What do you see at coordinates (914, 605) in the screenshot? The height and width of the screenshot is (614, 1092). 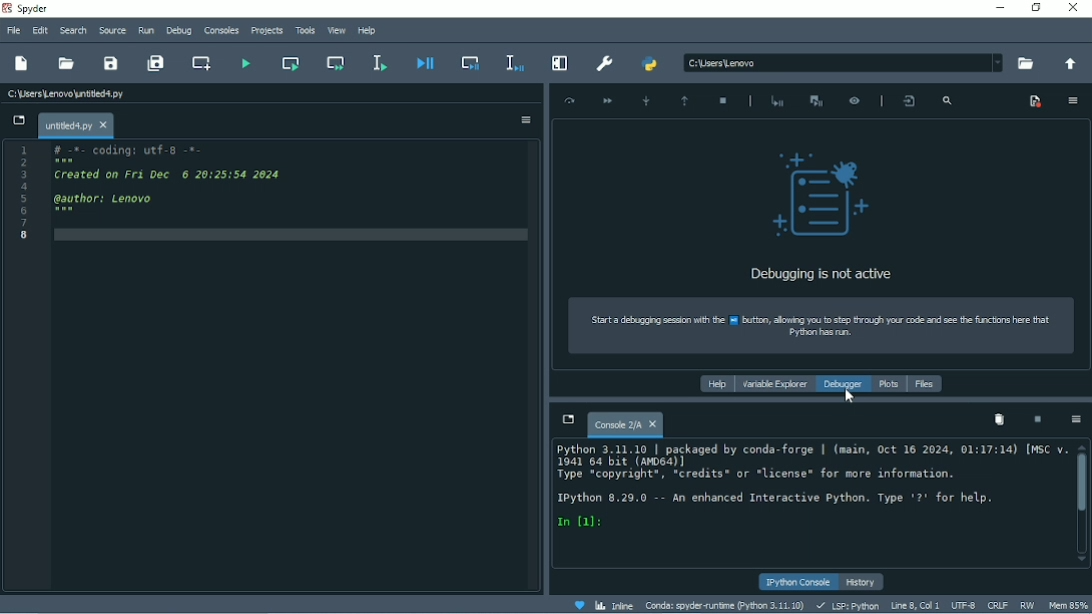 I see `Line 8, Col 1` at bounding box center [914, 605].